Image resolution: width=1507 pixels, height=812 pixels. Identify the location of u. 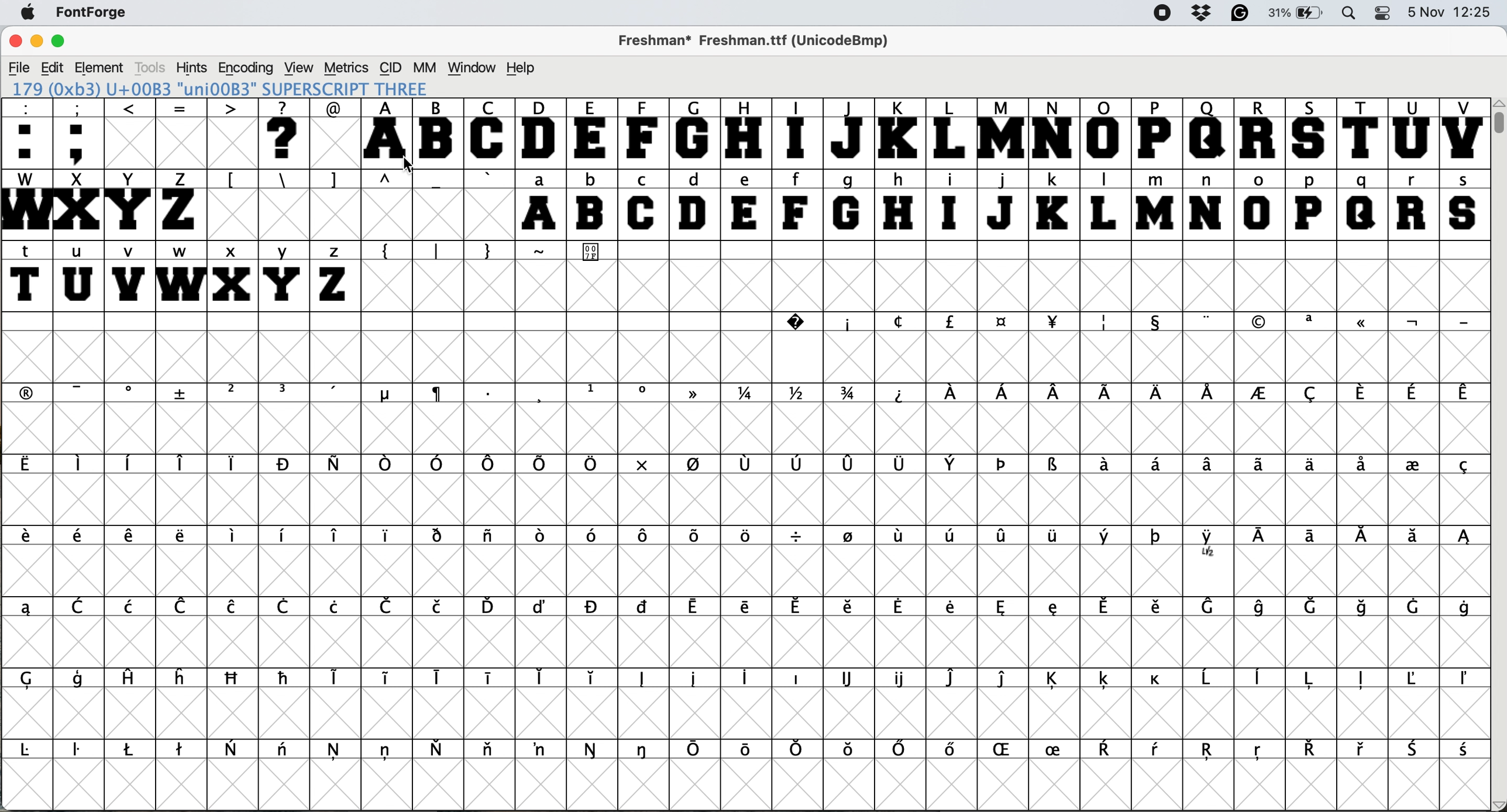
(78, 277).